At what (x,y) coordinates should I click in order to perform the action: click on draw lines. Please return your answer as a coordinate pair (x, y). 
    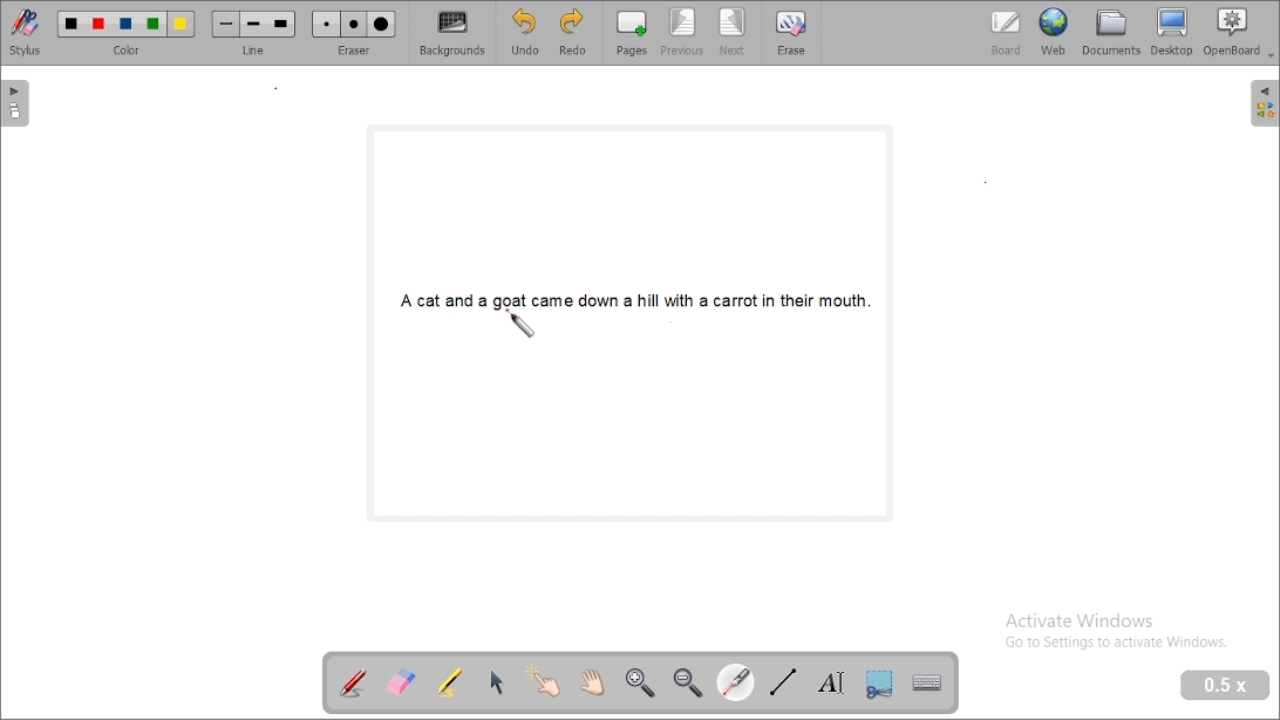
    Looking at the image, I should click on (784, 681).